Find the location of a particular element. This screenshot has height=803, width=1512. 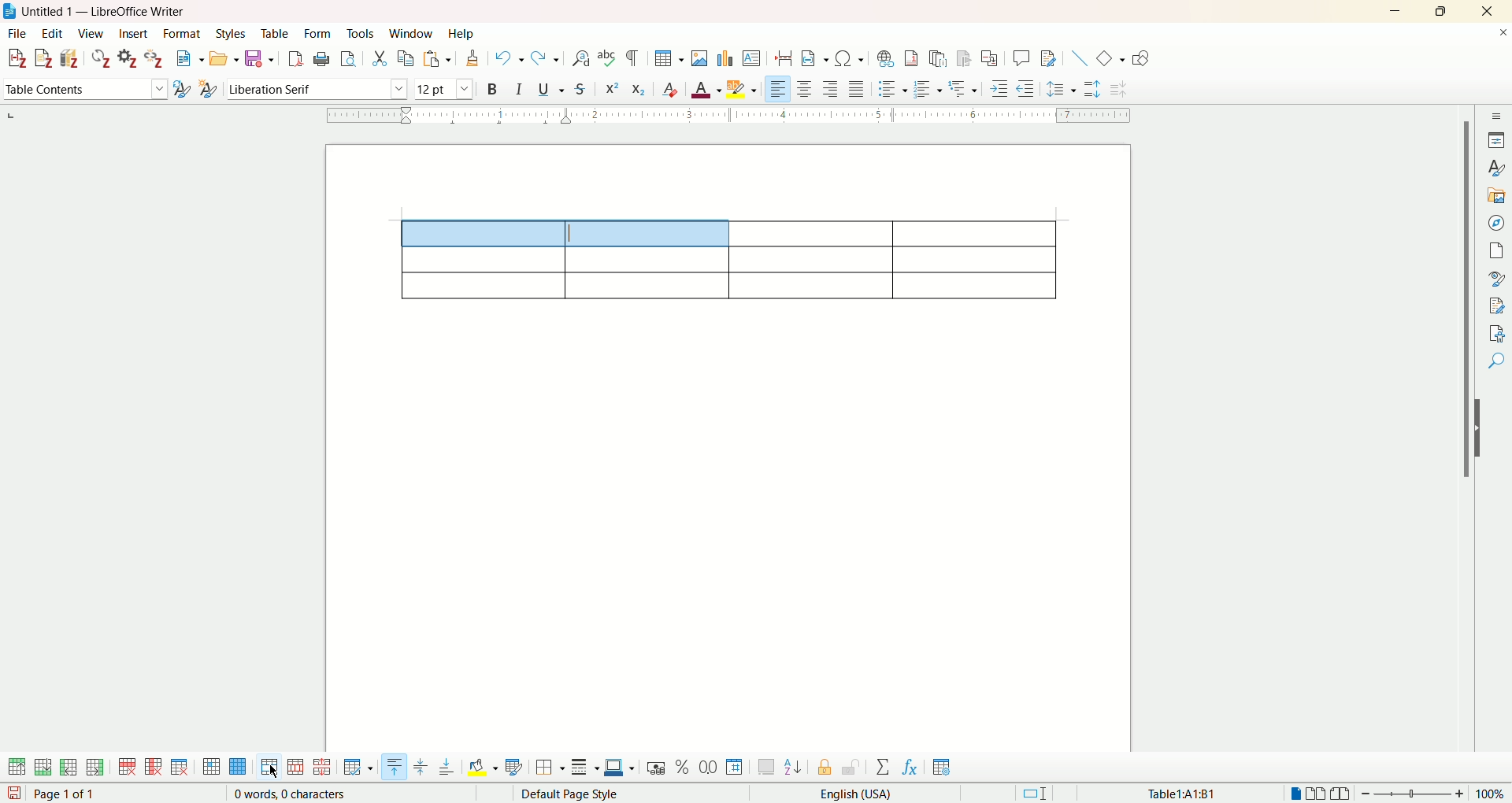

highlighting color is located at coordinates (743, 88).